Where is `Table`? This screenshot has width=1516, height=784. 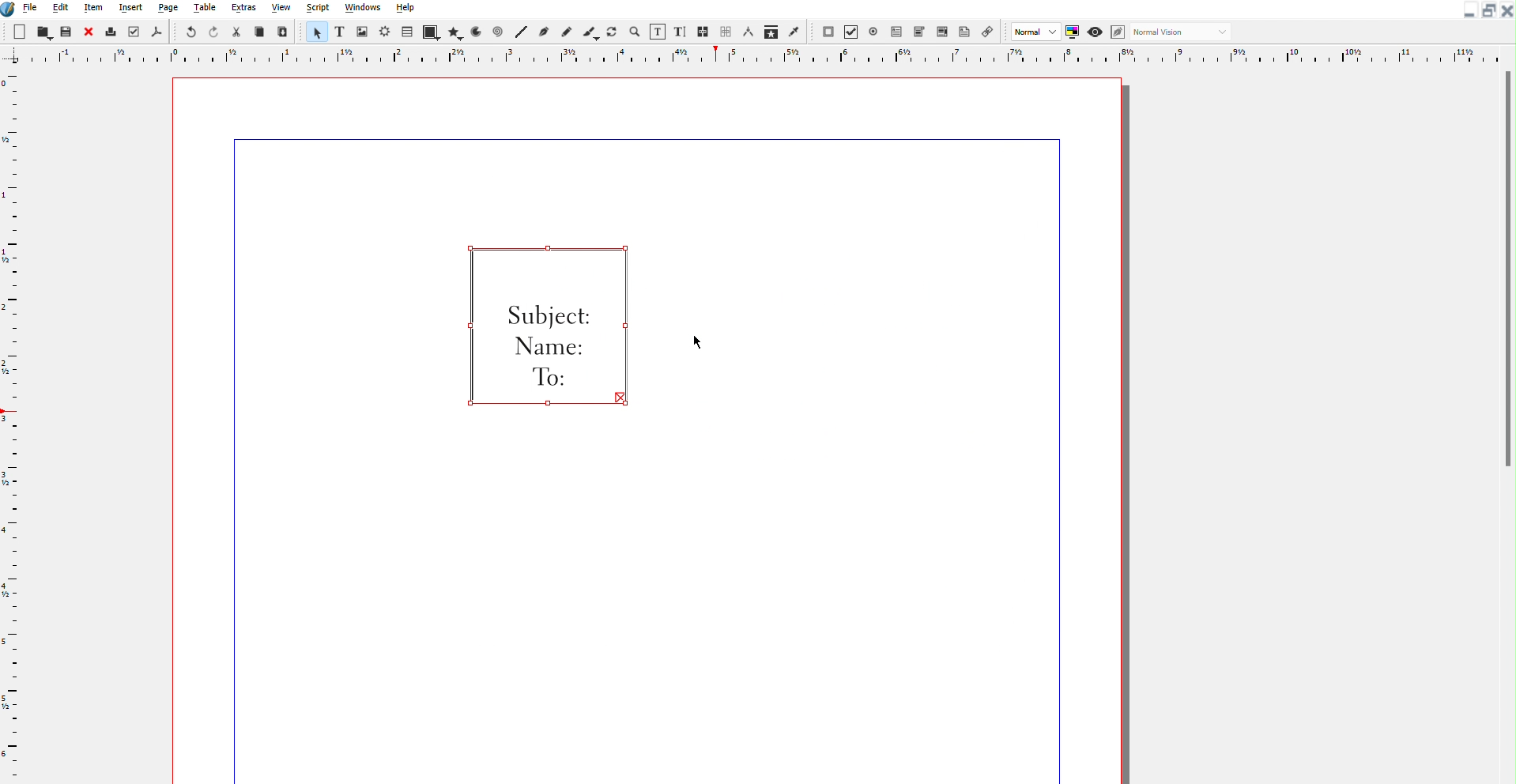 Table is located at coordinates (409, 32).